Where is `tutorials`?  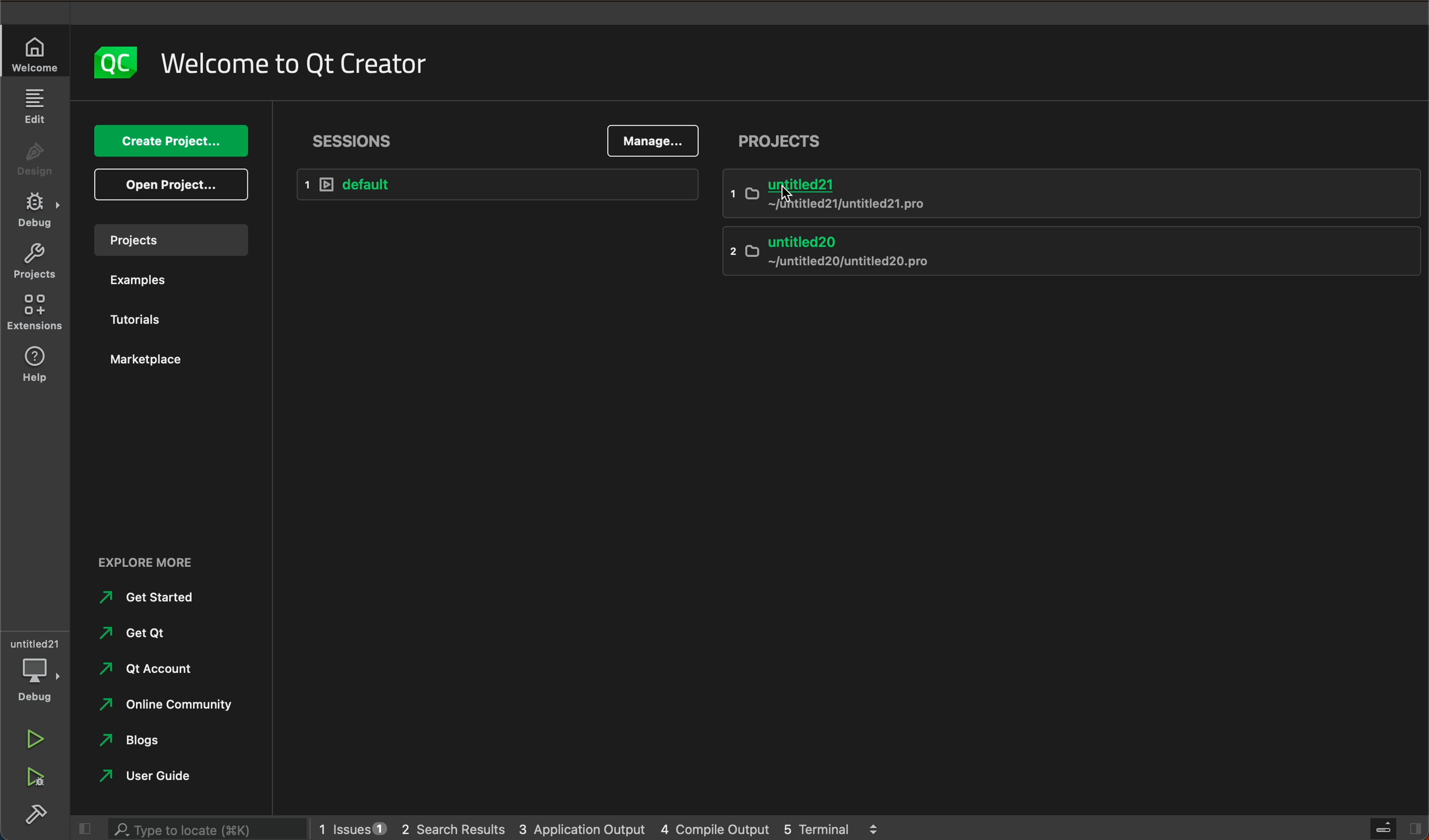
tutorials is located at coordinates (150, 318).